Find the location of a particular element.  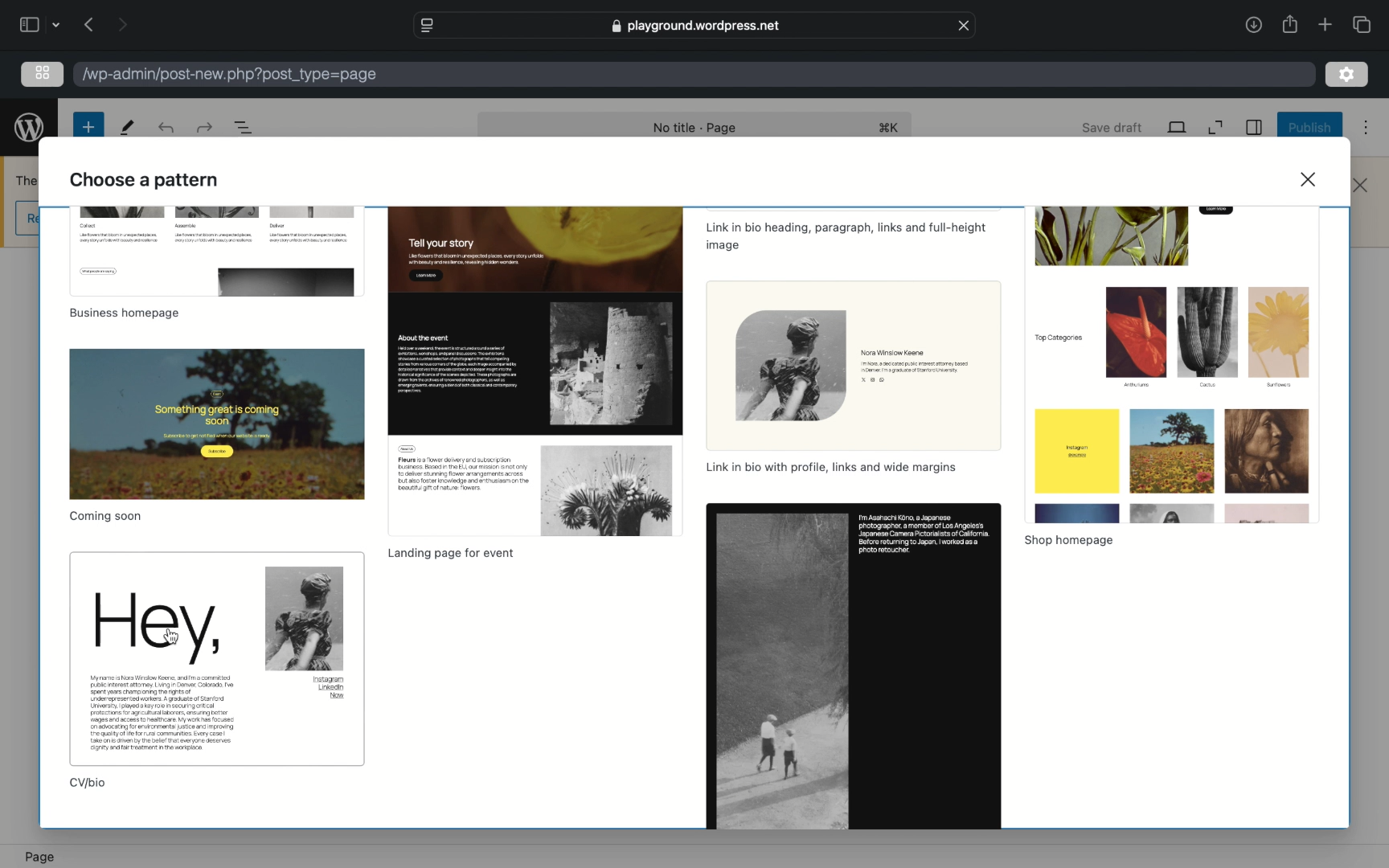

business homepage is located at coordinates (124, 314).